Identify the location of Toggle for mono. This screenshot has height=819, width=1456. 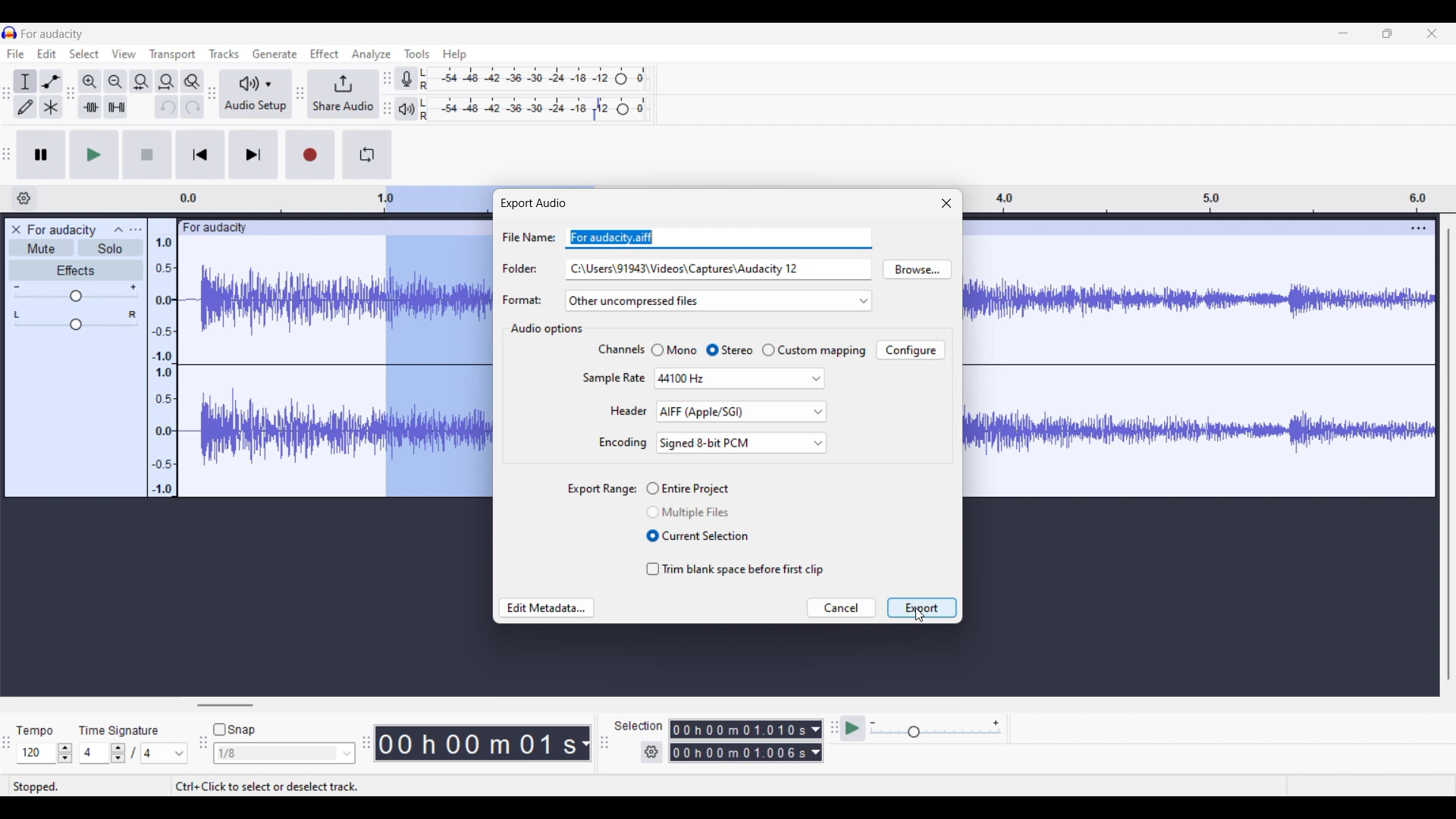
(673, 350).